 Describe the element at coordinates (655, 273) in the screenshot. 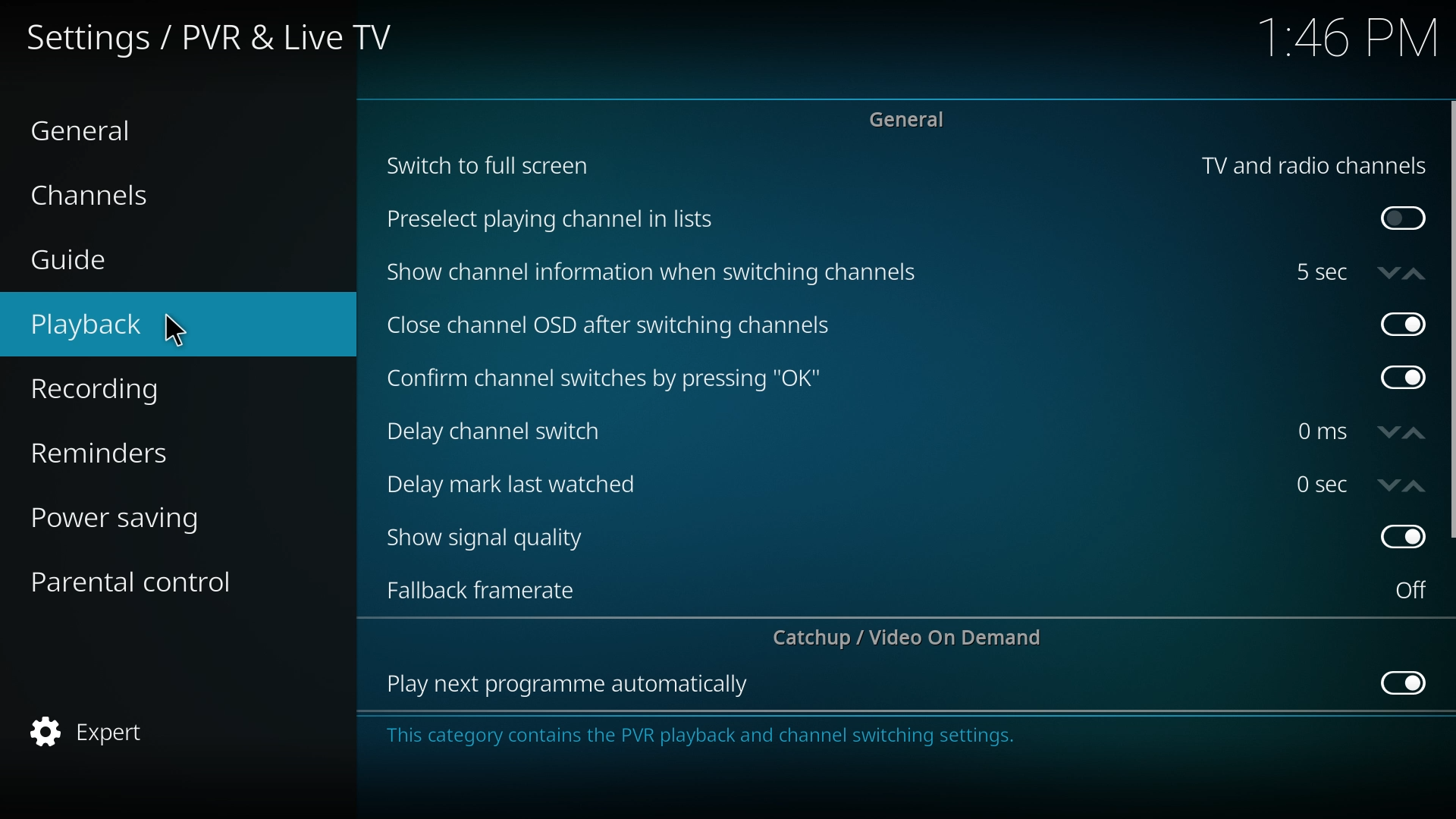

I see `show channel info when switching channels` at that location.